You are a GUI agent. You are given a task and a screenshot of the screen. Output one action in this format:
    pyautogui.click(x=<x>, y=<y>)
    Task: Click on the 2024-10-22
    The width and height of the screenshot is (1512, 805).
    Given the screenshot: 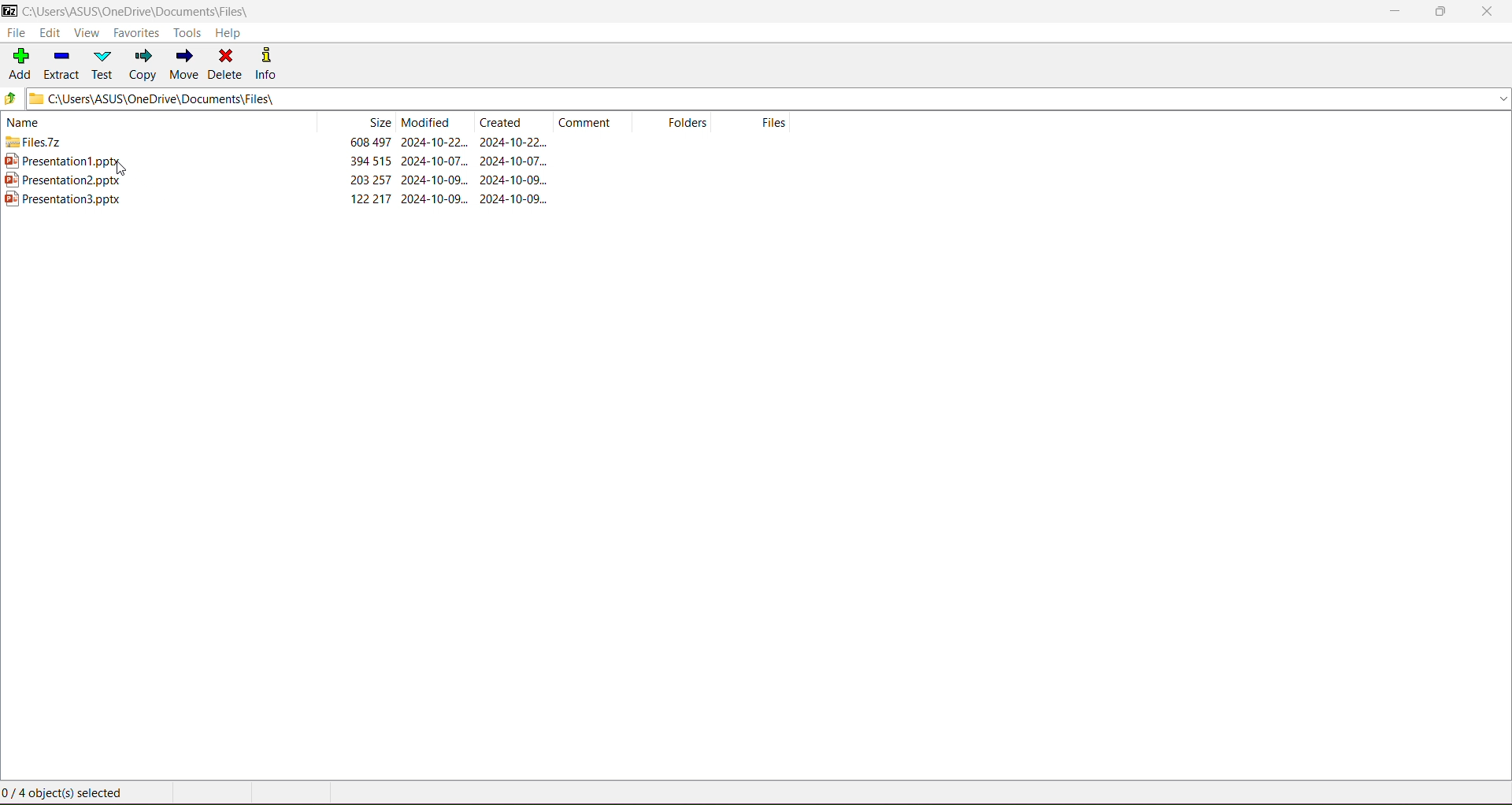 What is the action you would take?
    pyautogui.click(x=435, y=142)
    